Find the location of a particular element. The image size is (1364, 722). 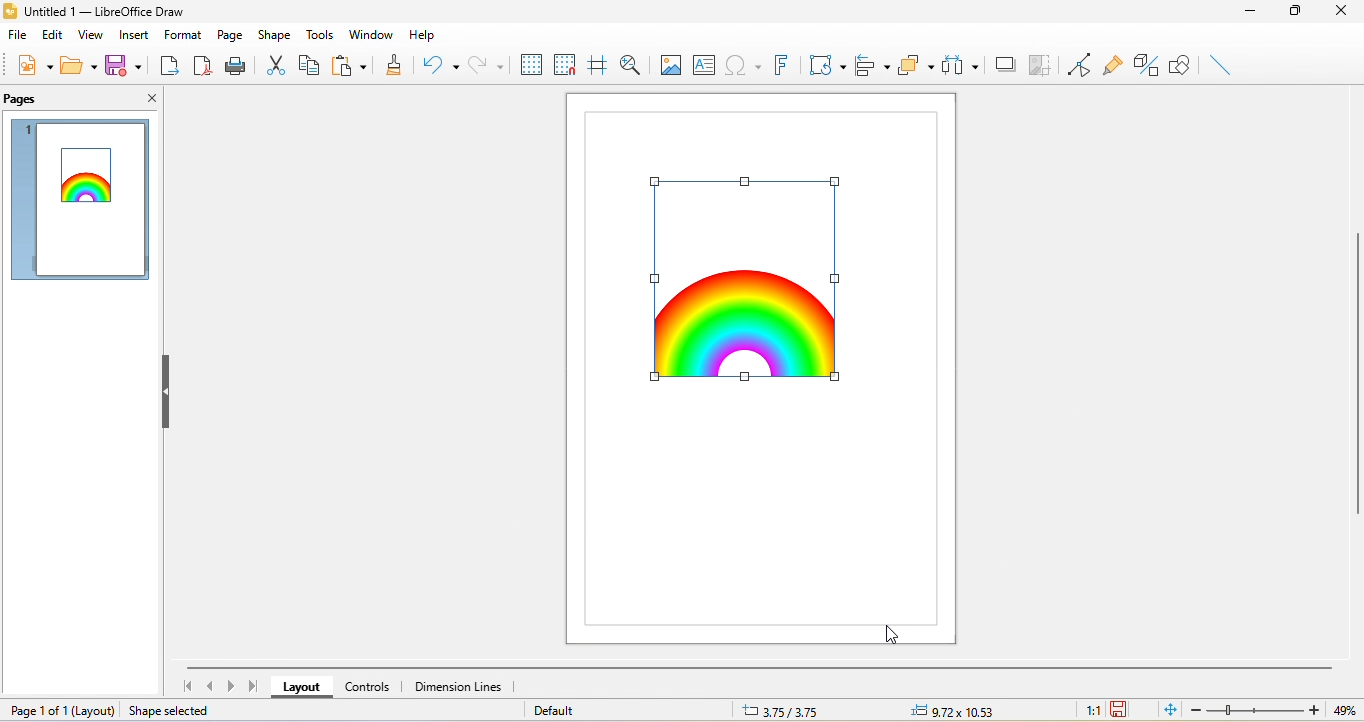

print is located at coordinates (236, 68).